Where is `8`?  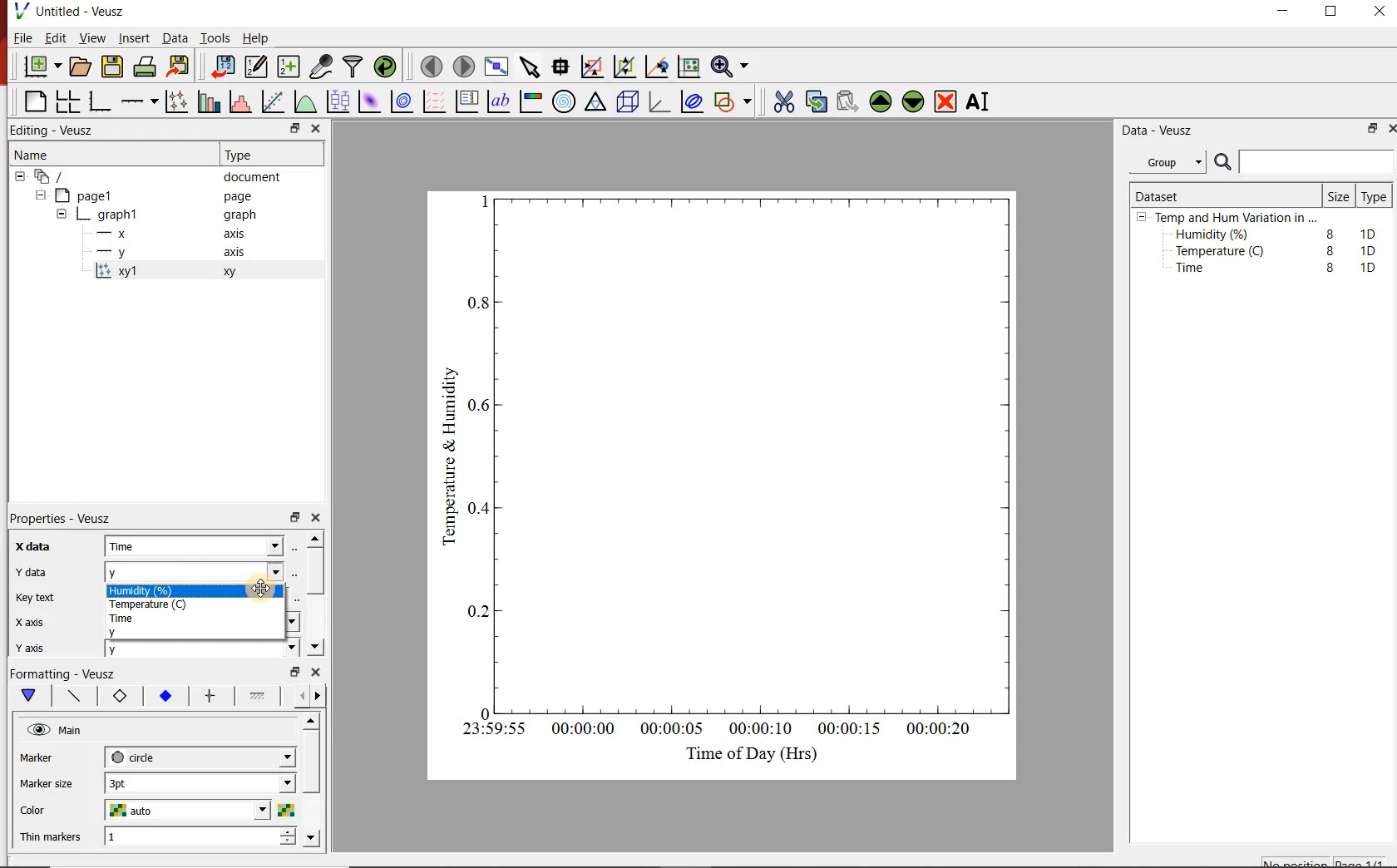 8 is located at coordinates (1327, 249).